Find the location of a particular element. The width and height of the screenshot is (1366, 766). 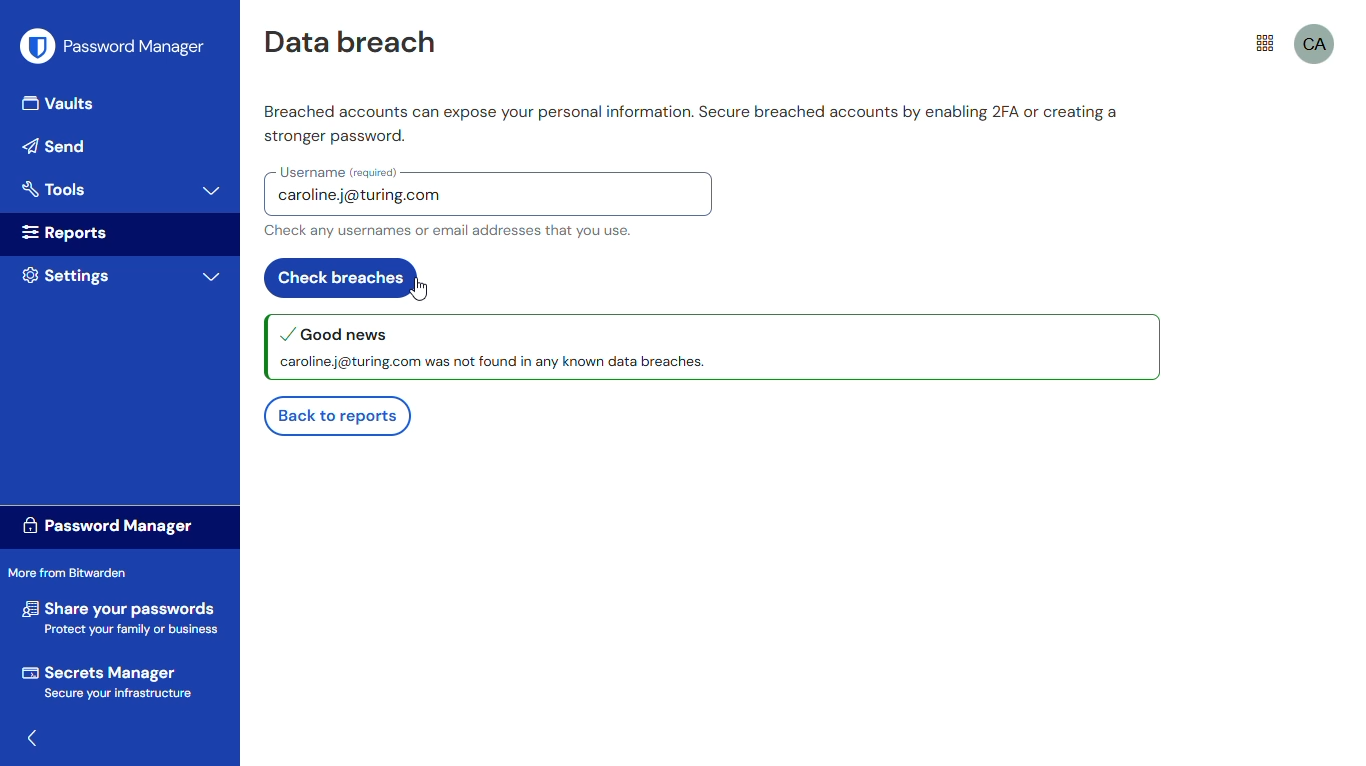

username (required) is located at coordinates (339, 172).